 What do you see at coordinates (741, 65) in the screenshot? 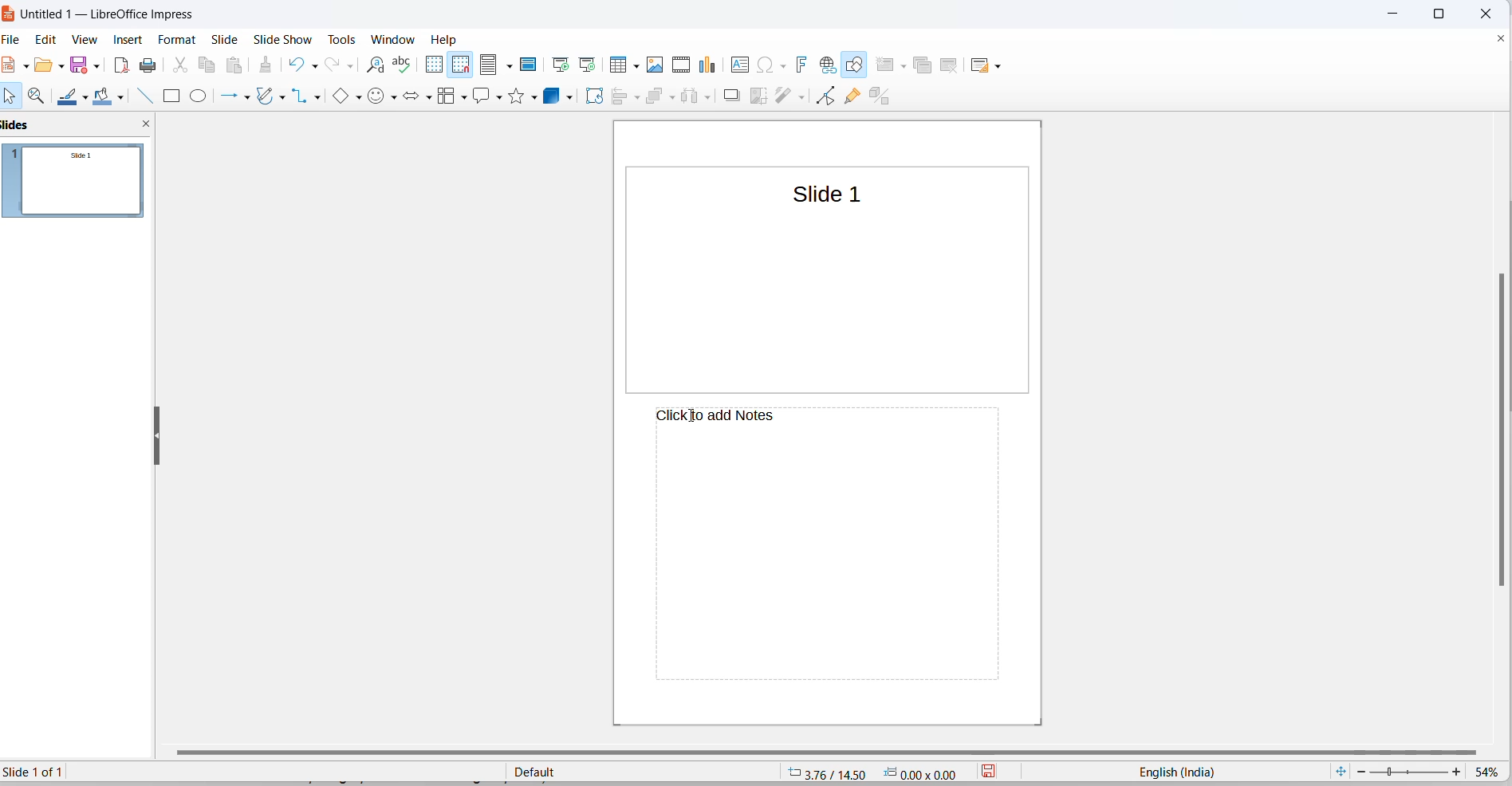
I see `insert text` at bounding box center [741, 65].